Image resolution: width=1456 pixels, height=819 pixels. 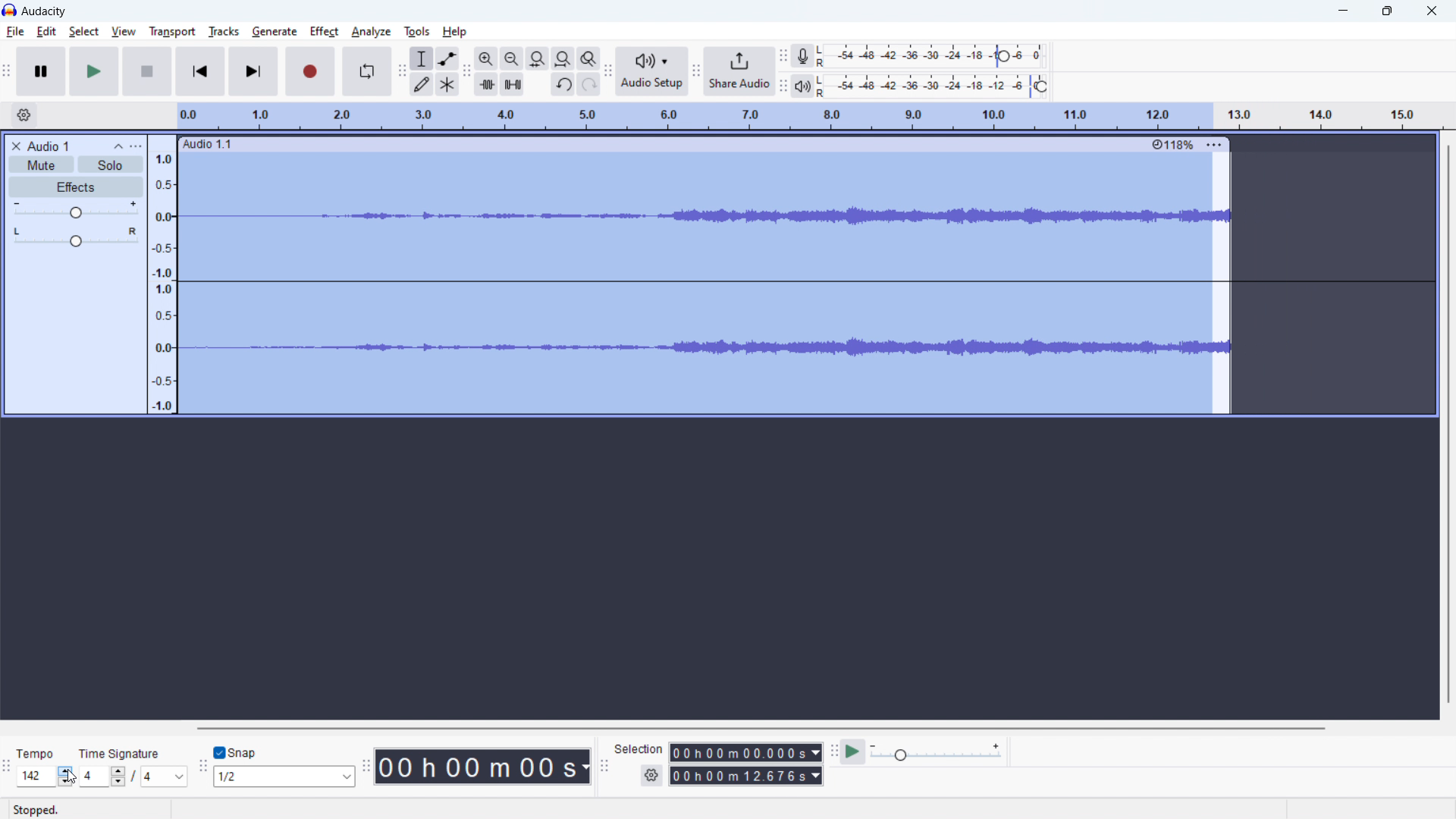 I want to click on trim audio outside selection, so click(x=486, y=83).